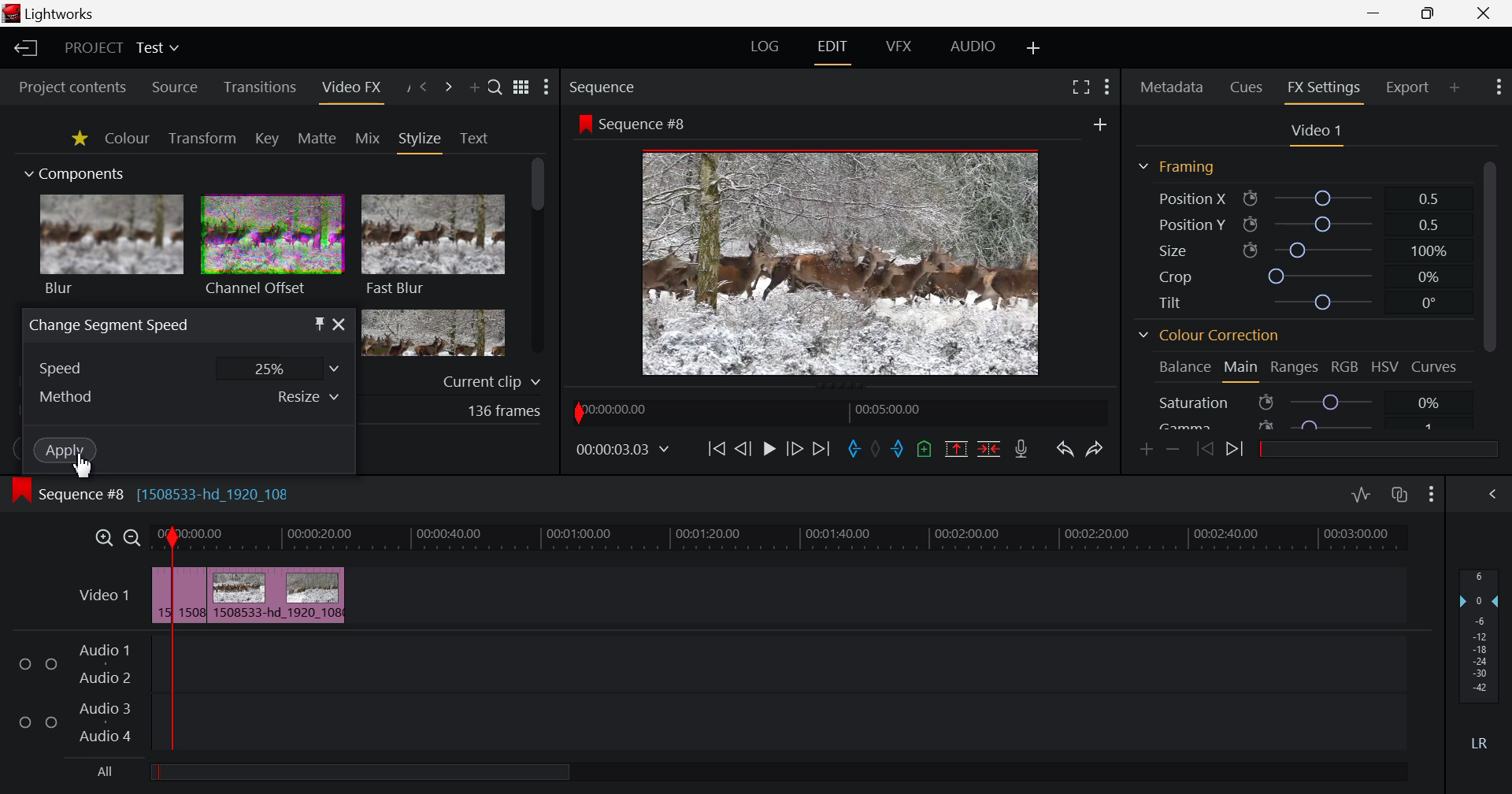 Image resolution: width=1512 pixels, height=794 pixels. What do you see at coordinates (1299, 224) in the screenshot?
I see `Position Y` at bounding box center [1299, 224].